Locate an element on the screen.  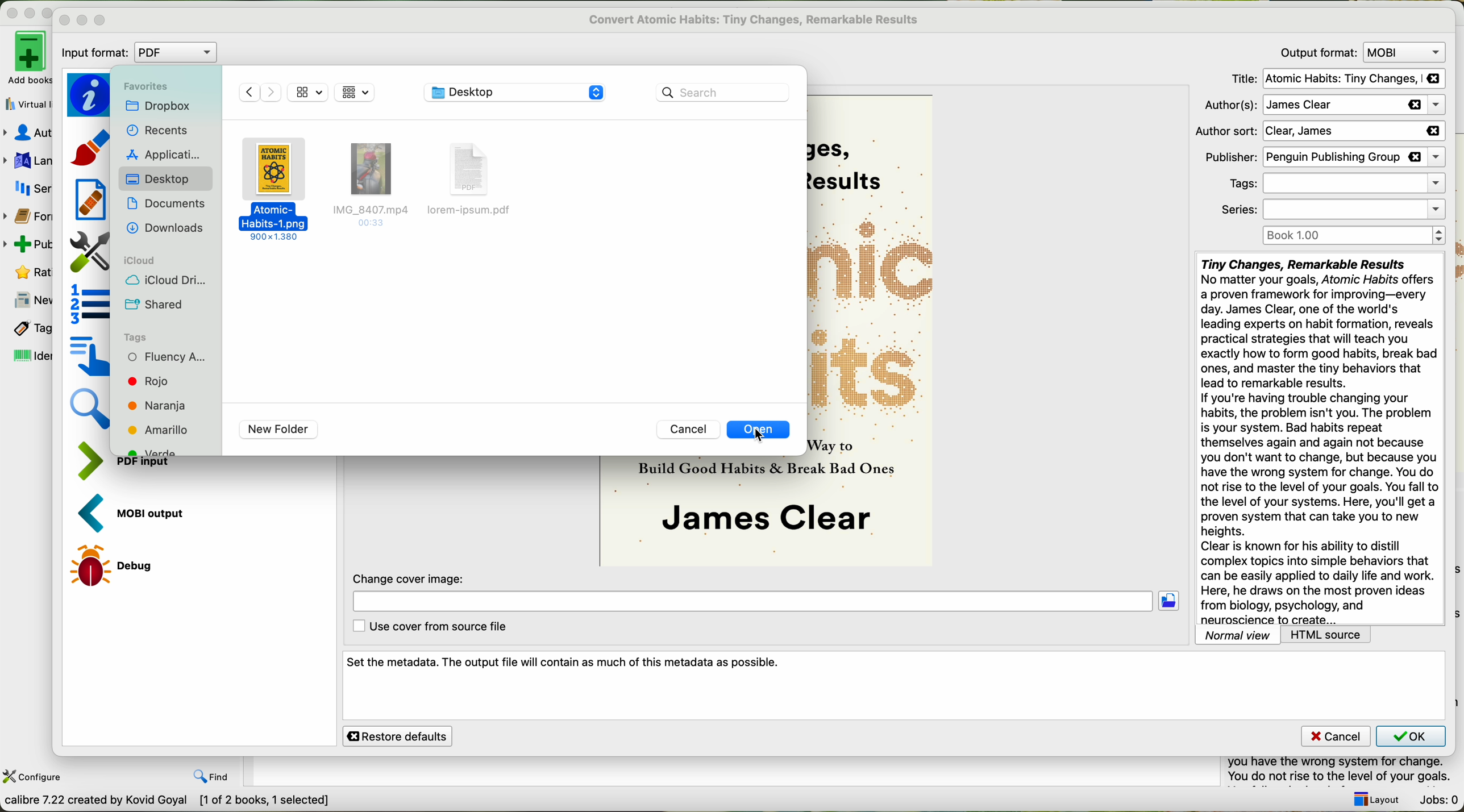
identifiers is located at coordinates (31, 355).